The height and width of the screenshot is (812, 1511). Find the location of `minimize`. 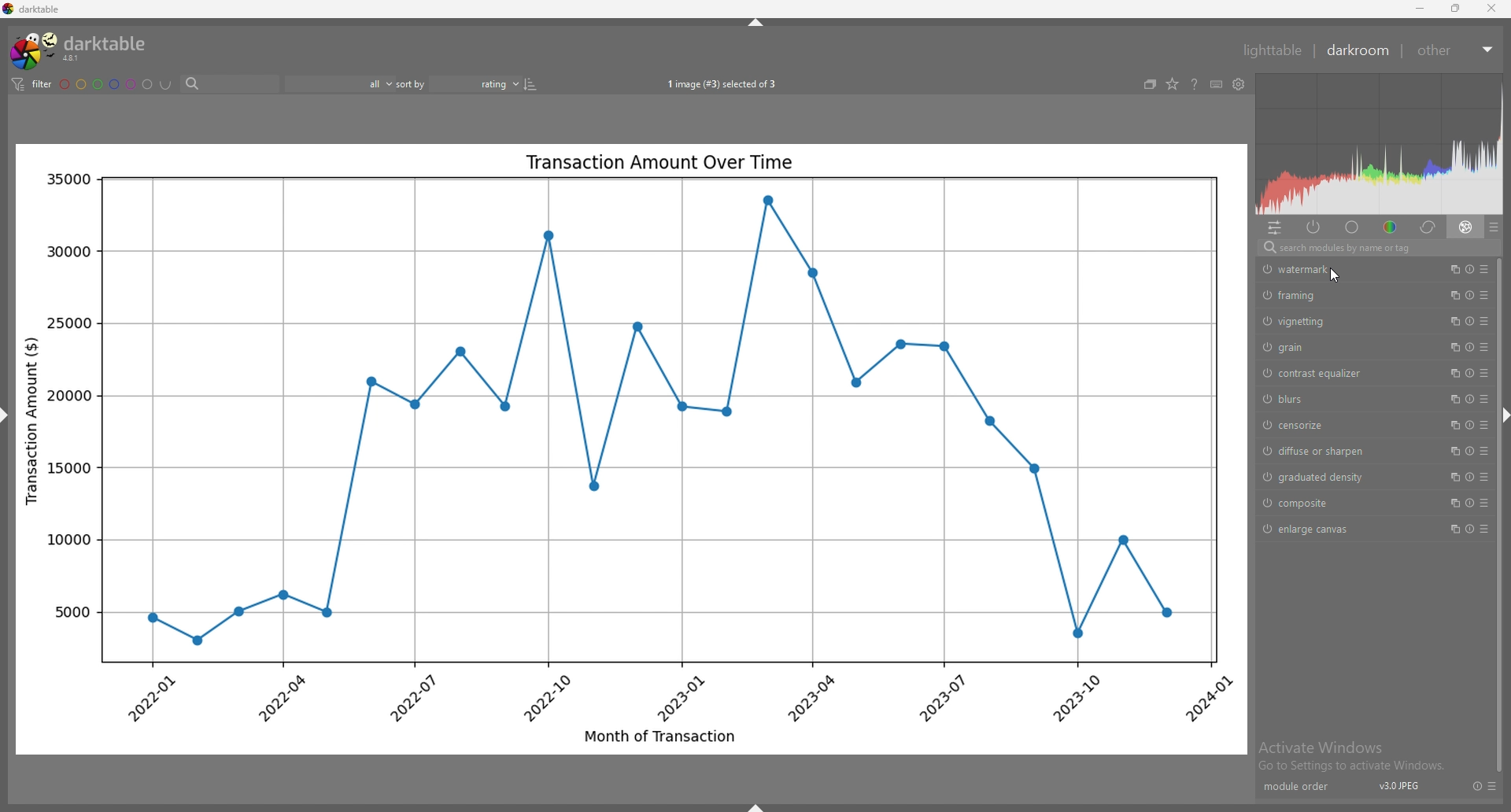

minimize is located at coordinates (1419, 9).